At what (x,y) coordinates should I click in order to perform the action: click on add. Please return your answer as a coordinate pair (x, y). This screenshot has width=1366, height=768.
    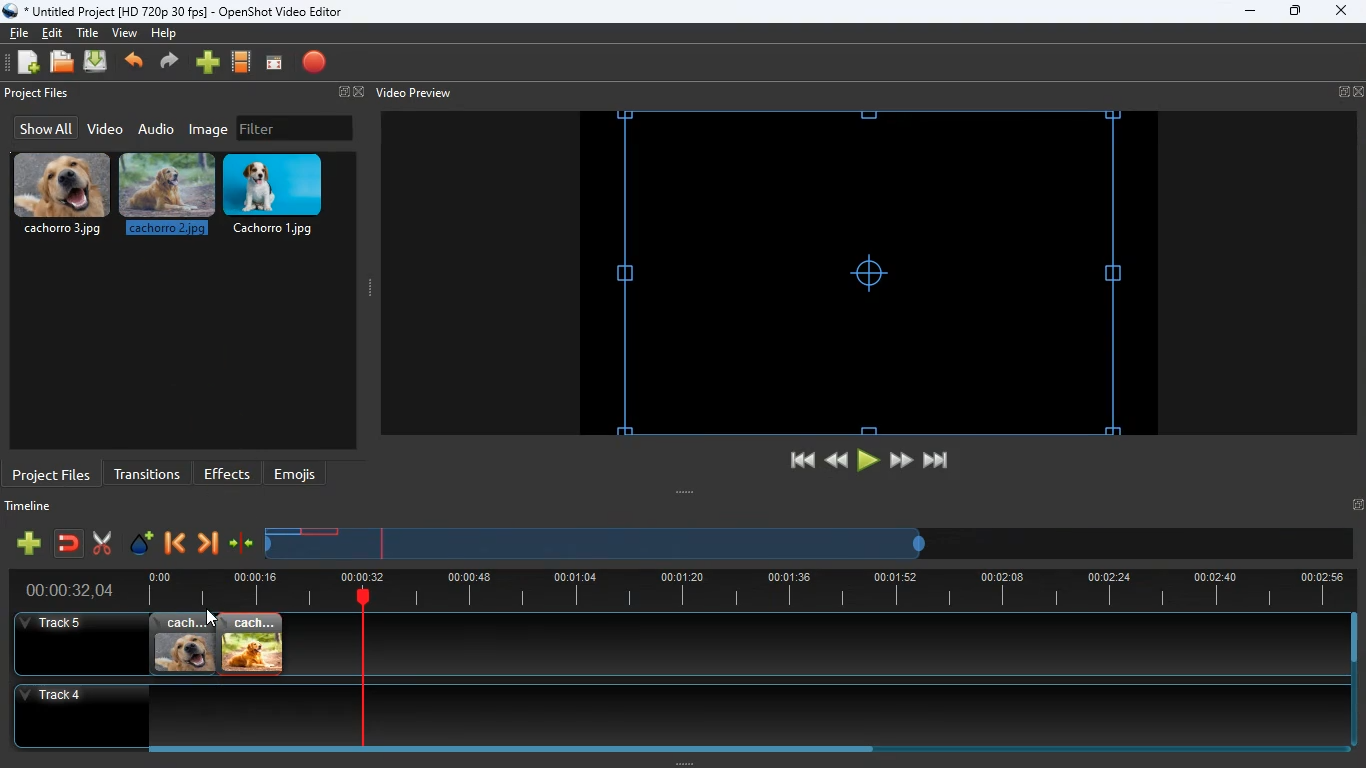
    Looking at the image, I should click on (208, 63).